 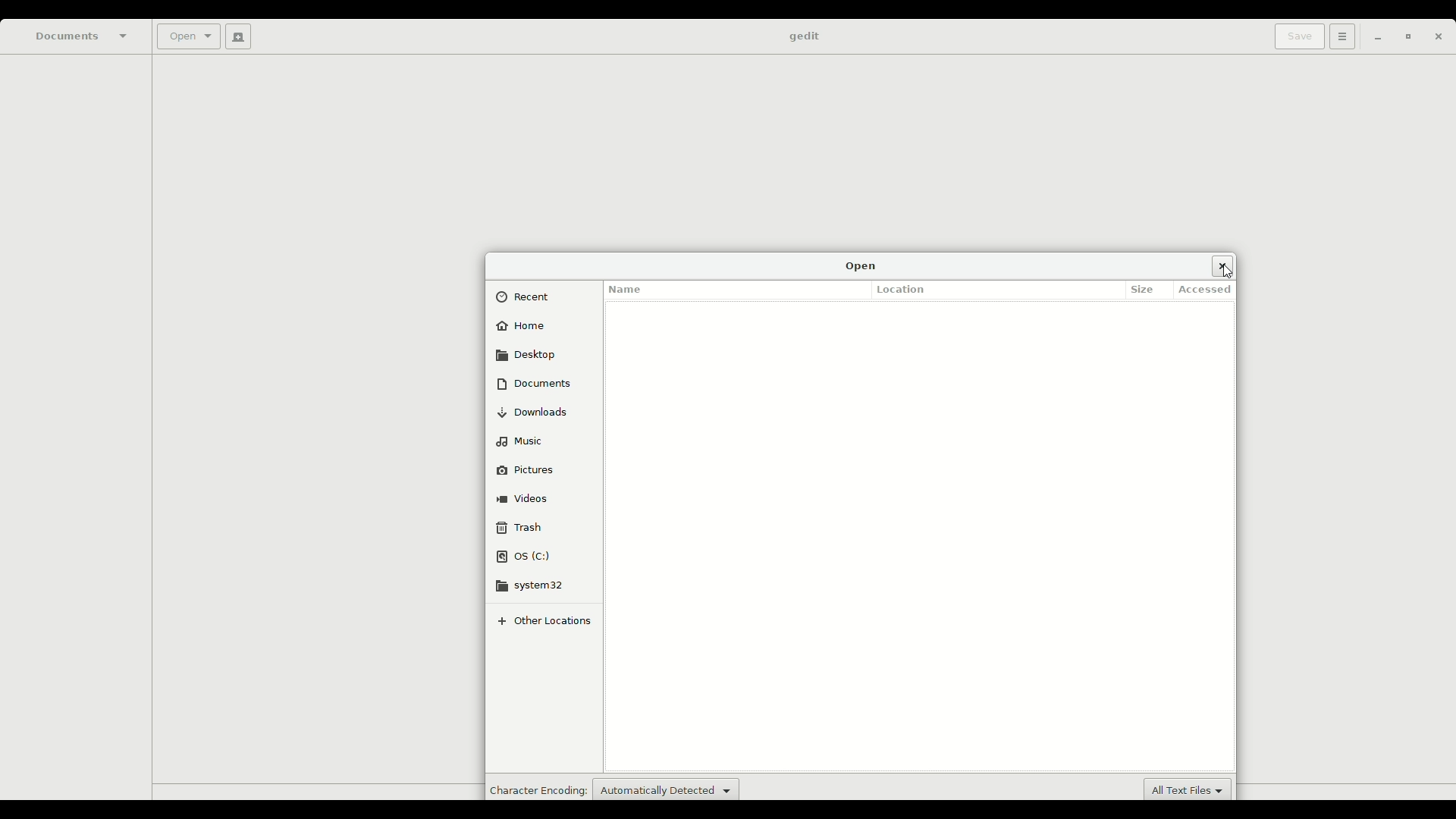 What do you see at coordinates (534, 383) in the screenshot?
I see `Documents` at bounding box center [534, 383].